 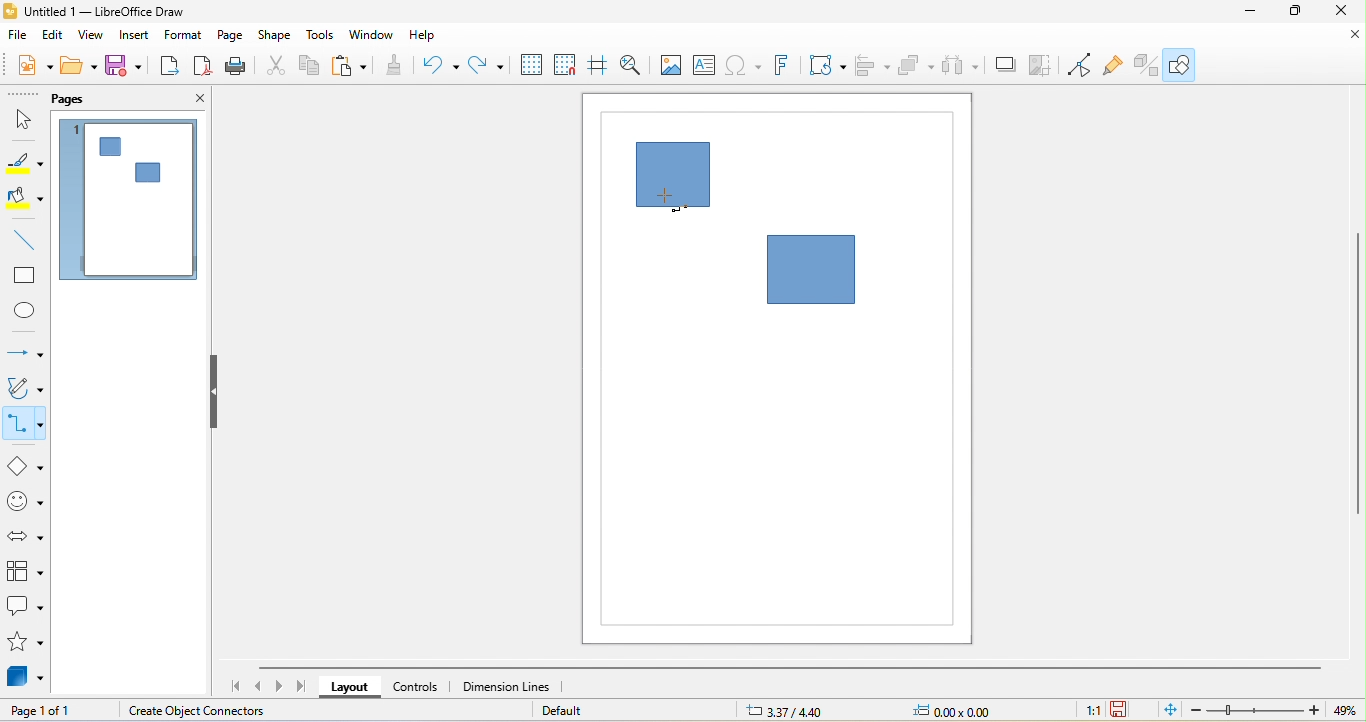 I want to click on paste, so click(x=354, y=66).